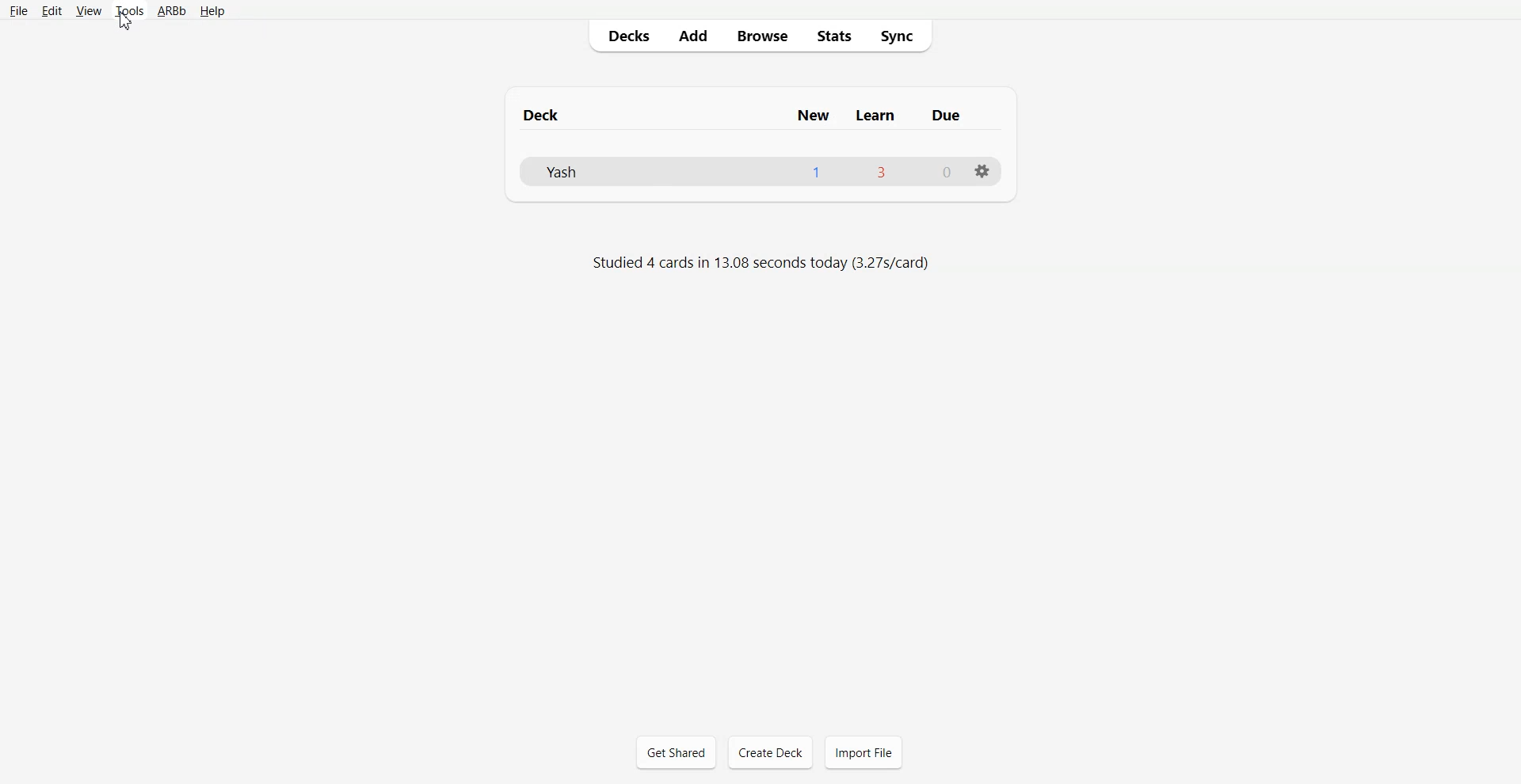 This screenshot has height=784, width=1521. Describe the element at coordinates (52, 11) in the screenshot. I see `Edit` at that location.